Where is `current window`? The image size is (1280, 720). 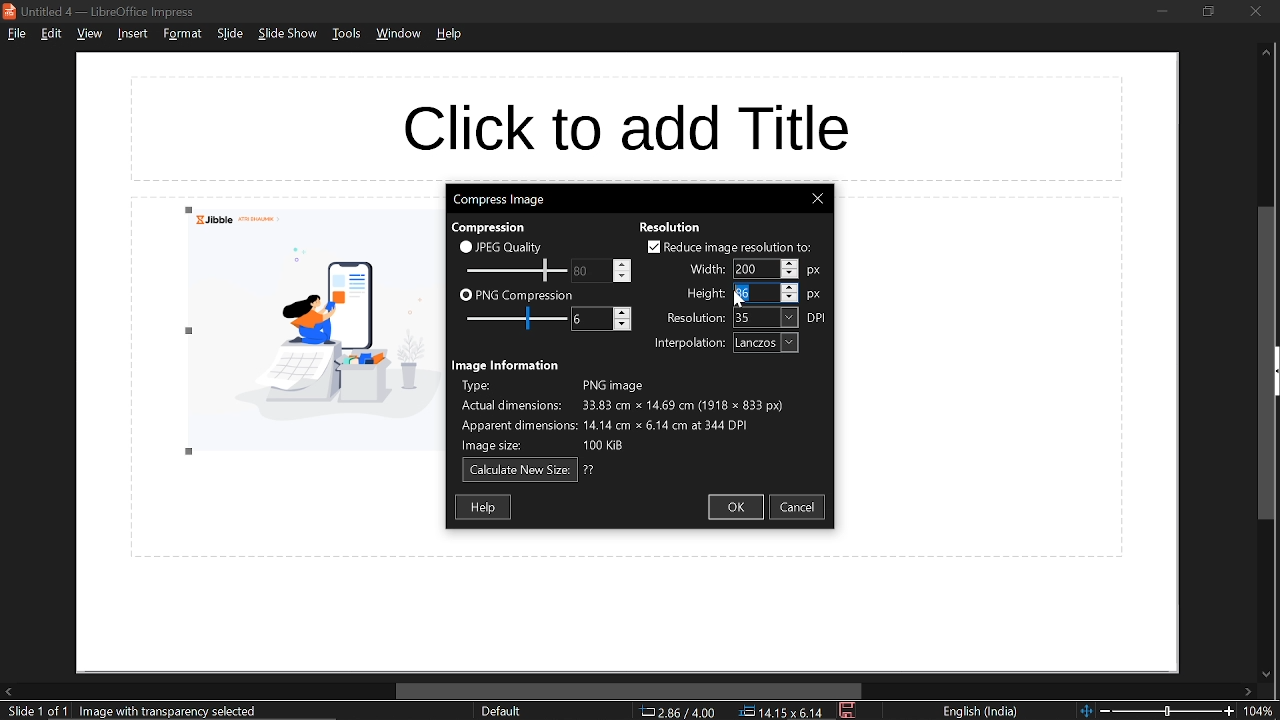 current window is located at coordinates (498, 198).